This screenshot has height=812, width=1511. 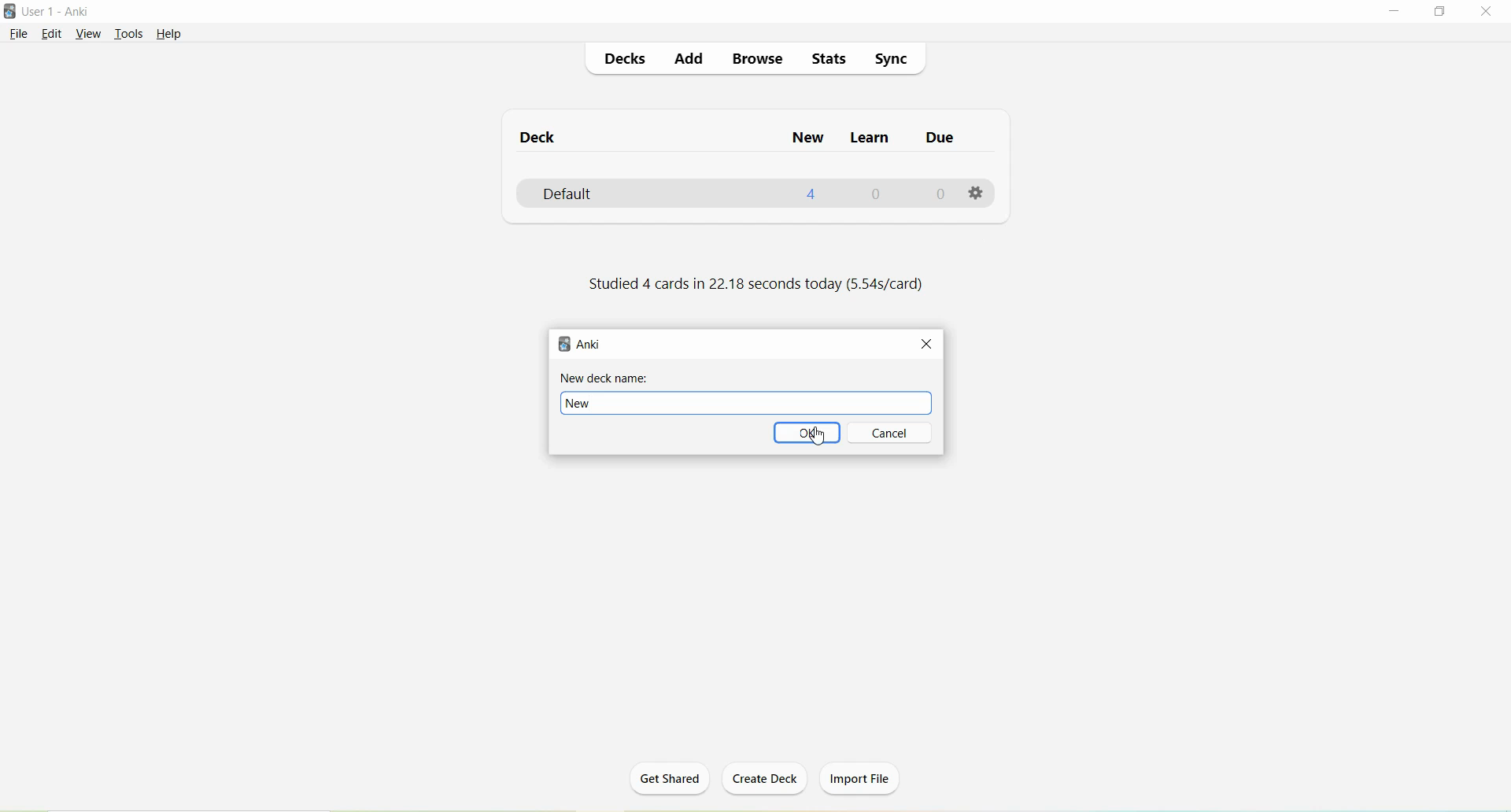 I want to click on Help, so click(x=168, y=34).